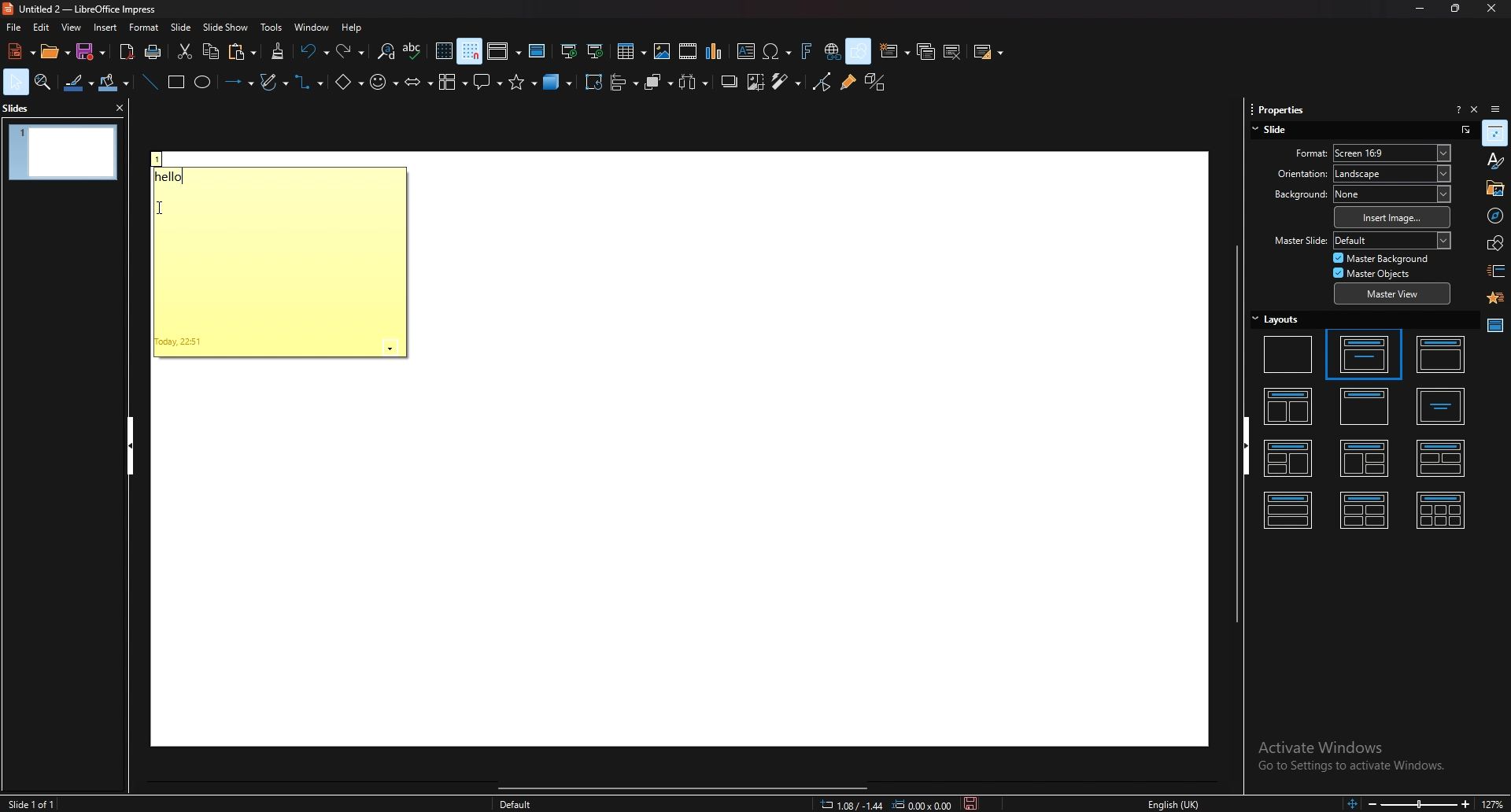  Describe the element at coordinates (716, 52) in the screenshot. I see `insert chart` at that location.